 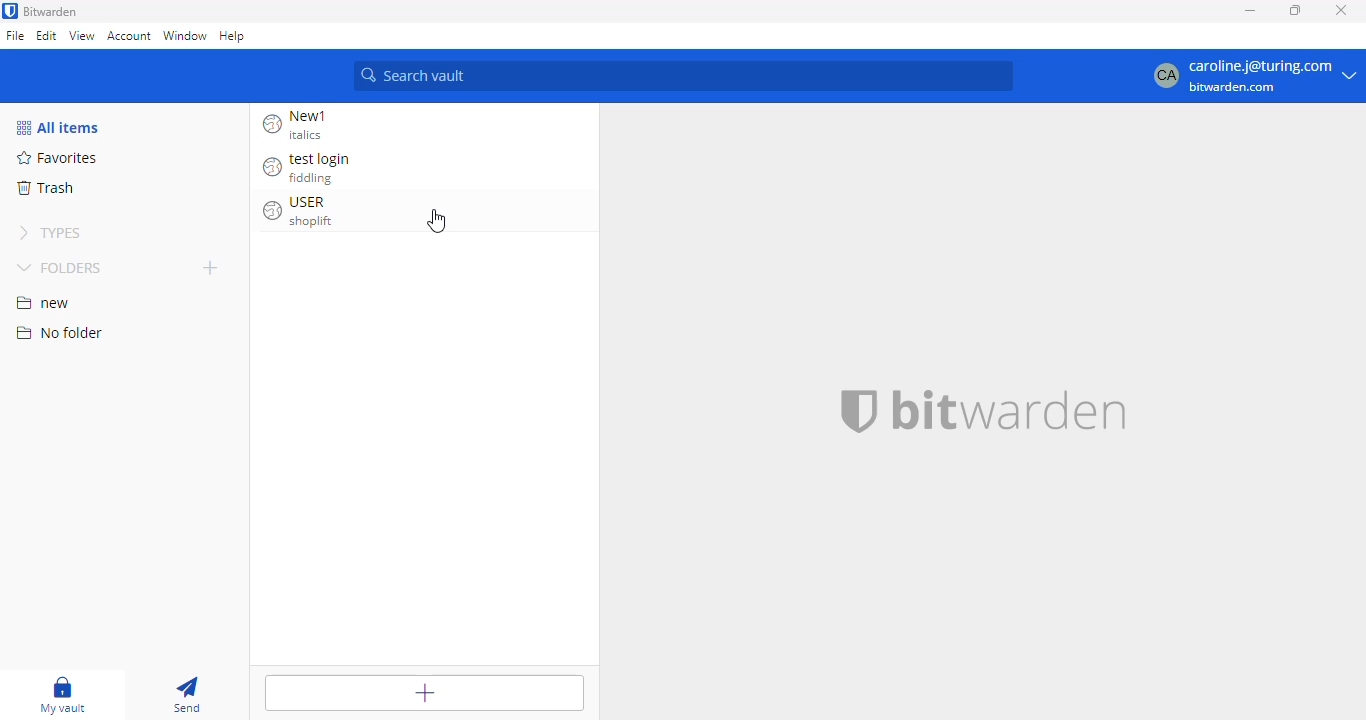 What do you see at coordinates (1295, 10) in the screenshot?
I see `maximize` at bounding box center [1295, 10].